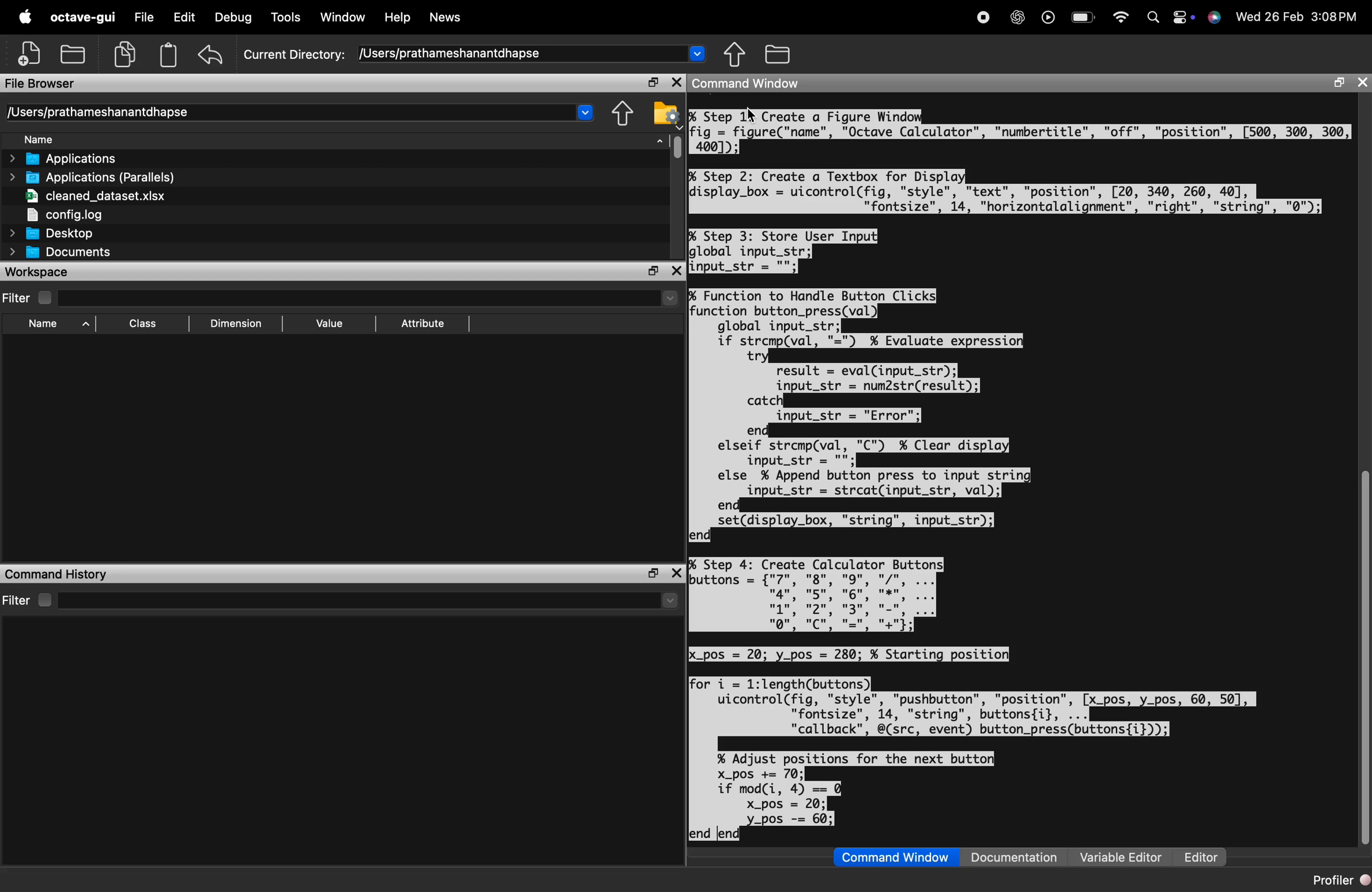 This screenshot has width=1372, height=892. Describe the element at coordinates (665, 114) in the screenshot. I see `Browse directories` at that location.